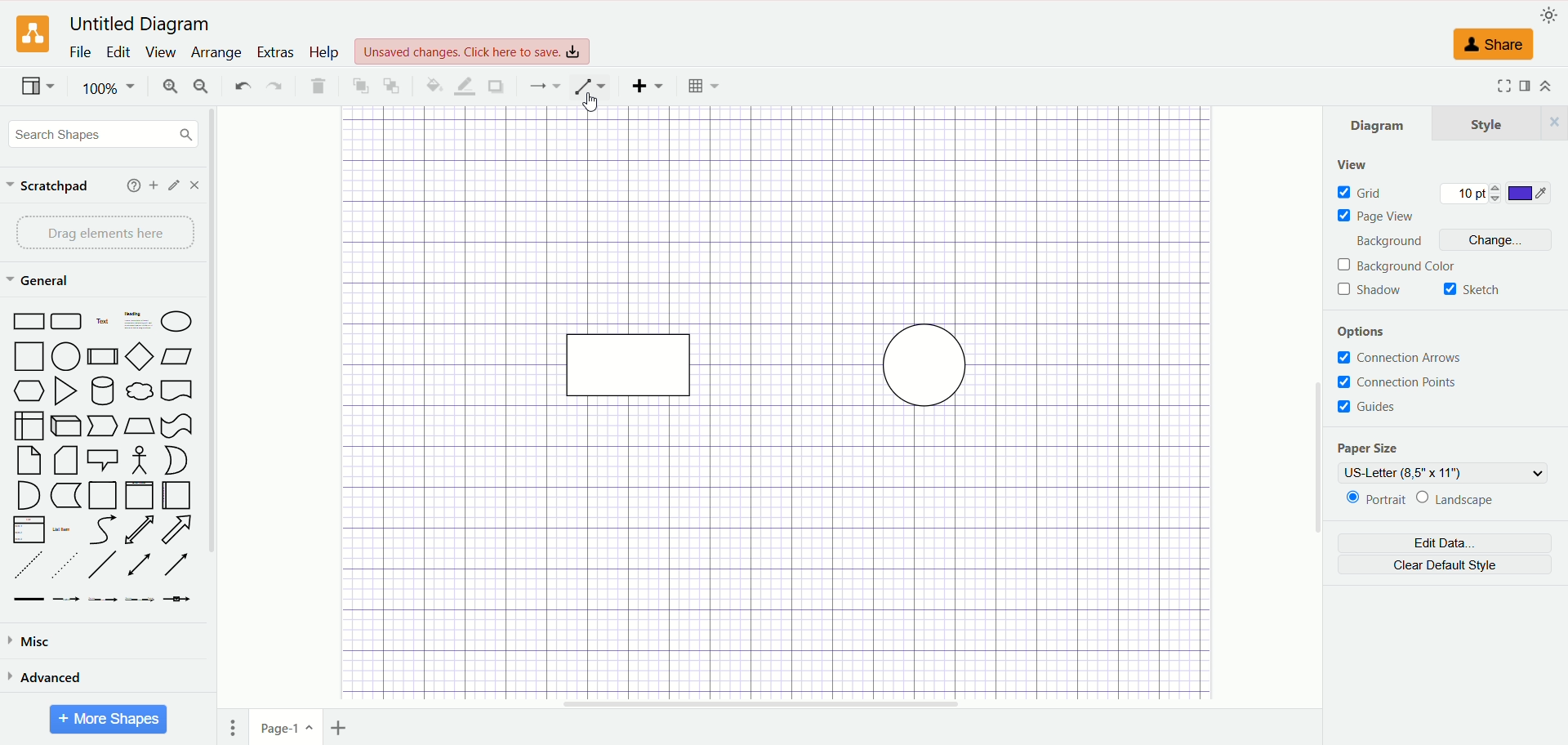 This screenshot has width=1568, height=745. I want to click on grid, so click(1356, 191).